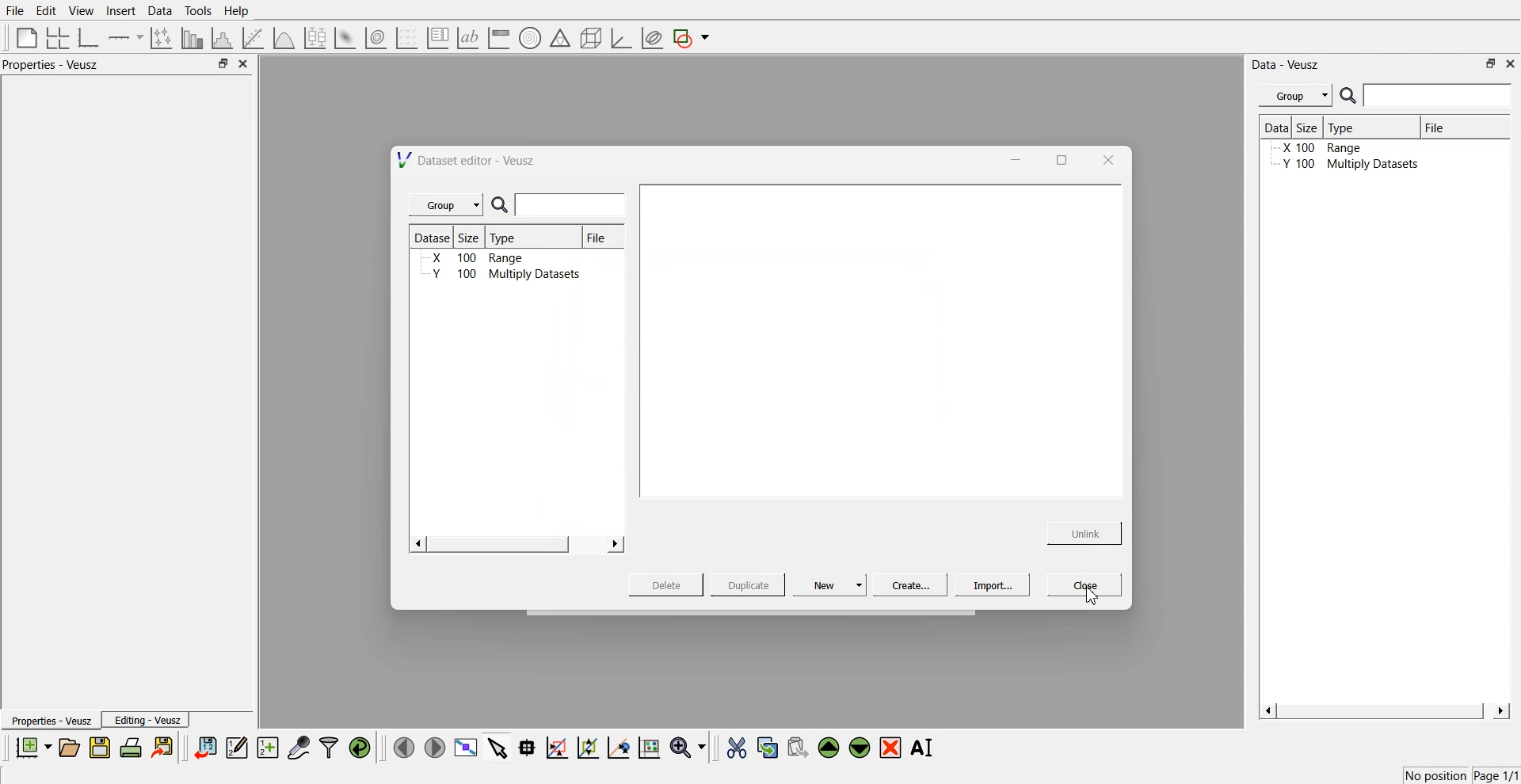 The image size is (1521, 784). What do you see at coordinates (497, 275) in the screenshot?
I see `Y 100 Multiply Datasets` at bounding box center [497, 275].